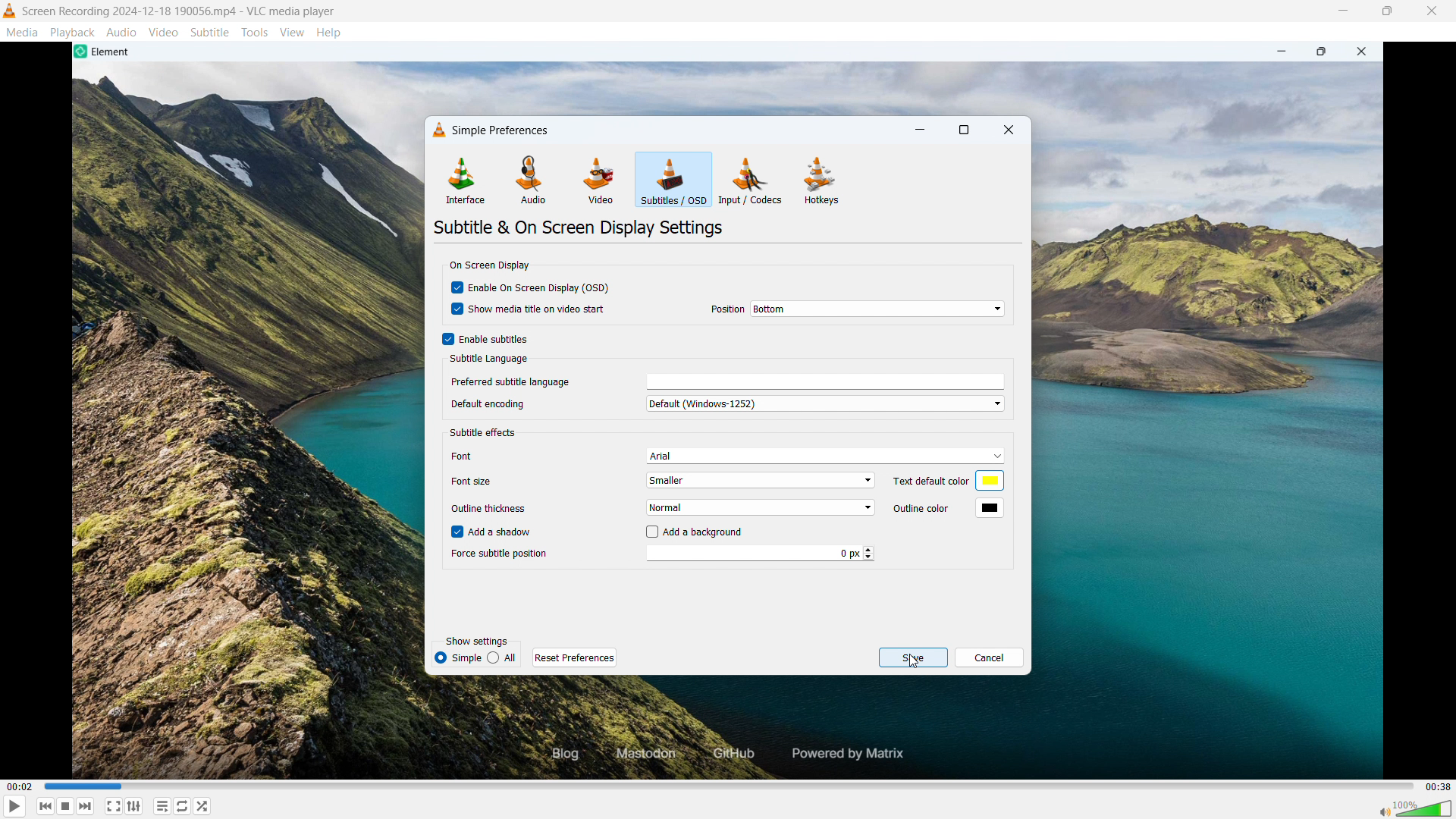  What do you see at coordinates (22, 33) in the screenshot?
I see `Media ` at bounding box center [22, 33].